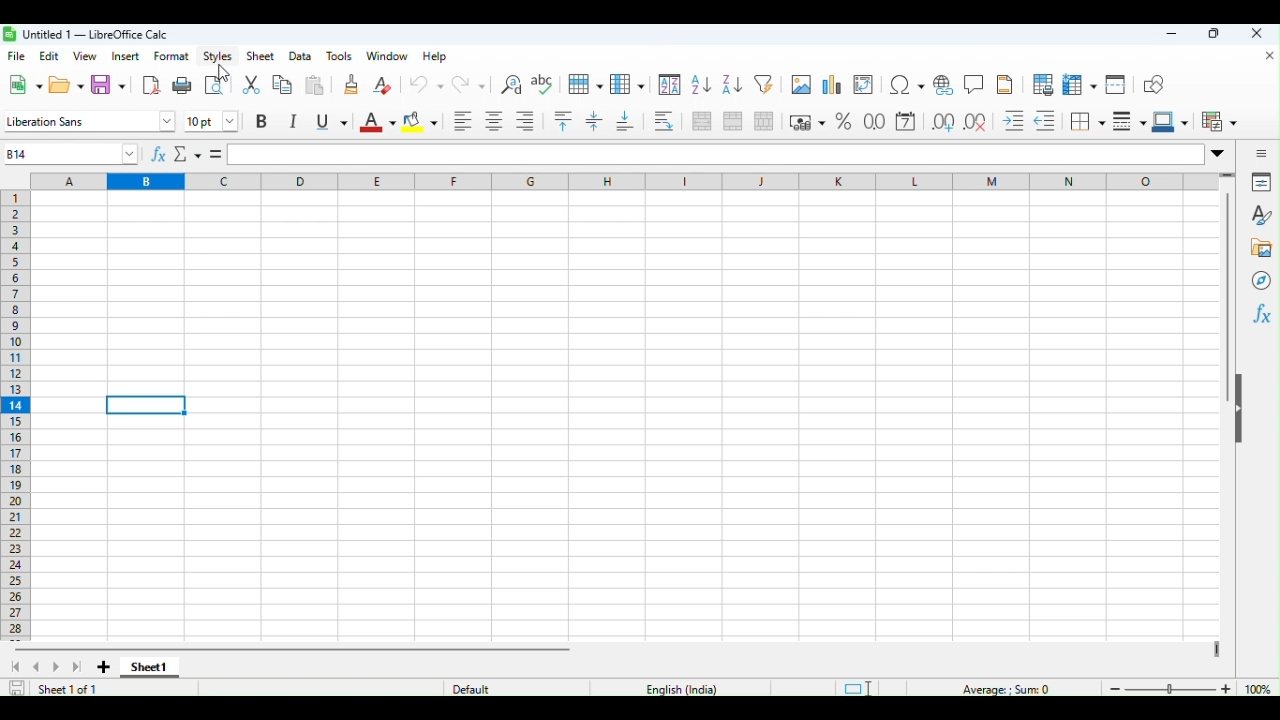 The height and width of the screenshot is (720, 1280). Describe the element at coordinates (1070, 181) in the screenshot. I see `n` at that location.